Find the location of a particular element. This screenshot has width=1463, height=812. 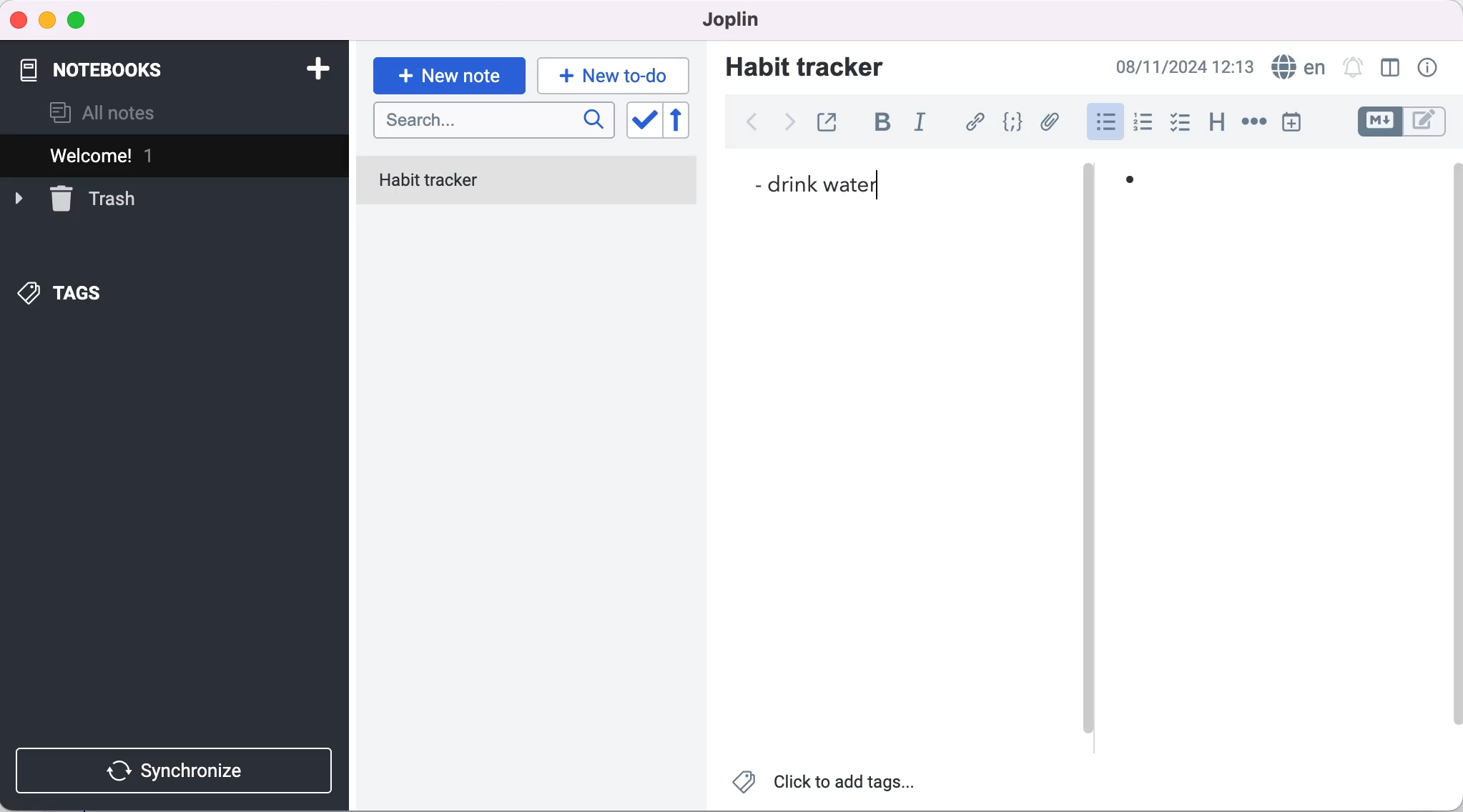

add notebook is located at coordinates (315, 67).